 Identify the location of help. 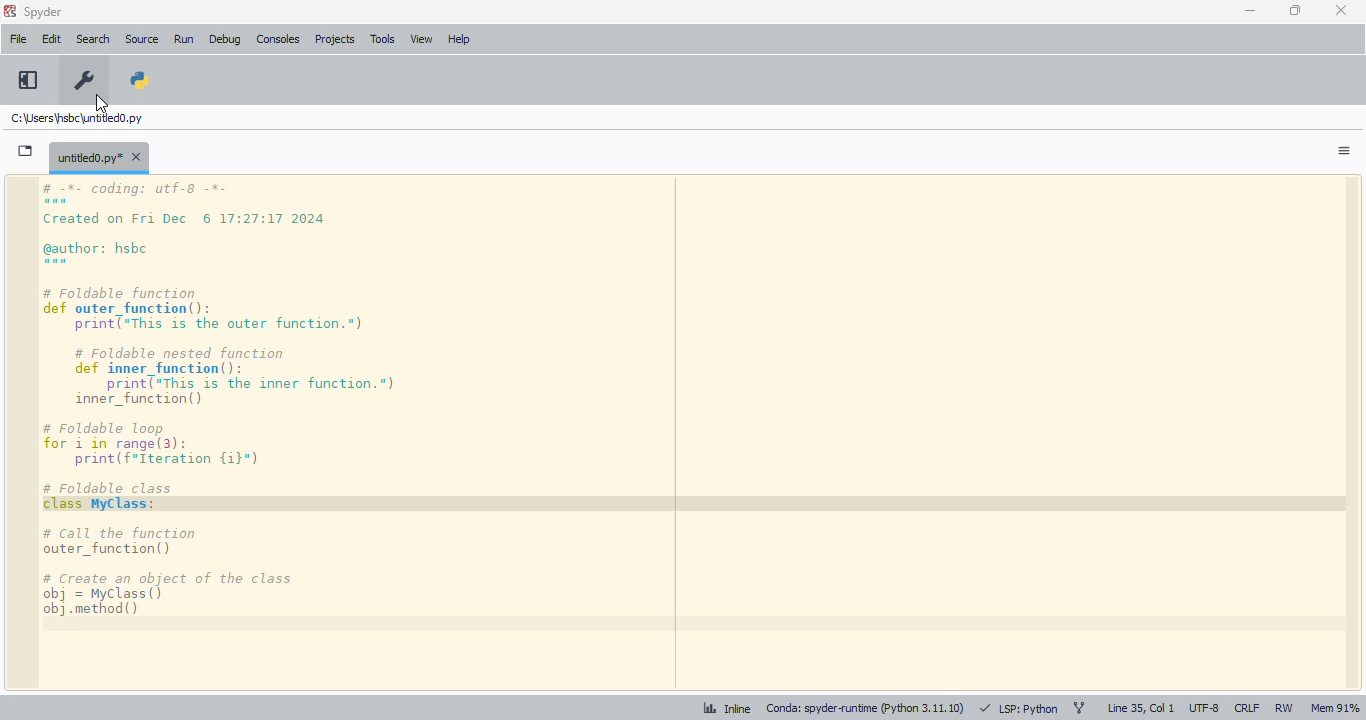
(459, 39).